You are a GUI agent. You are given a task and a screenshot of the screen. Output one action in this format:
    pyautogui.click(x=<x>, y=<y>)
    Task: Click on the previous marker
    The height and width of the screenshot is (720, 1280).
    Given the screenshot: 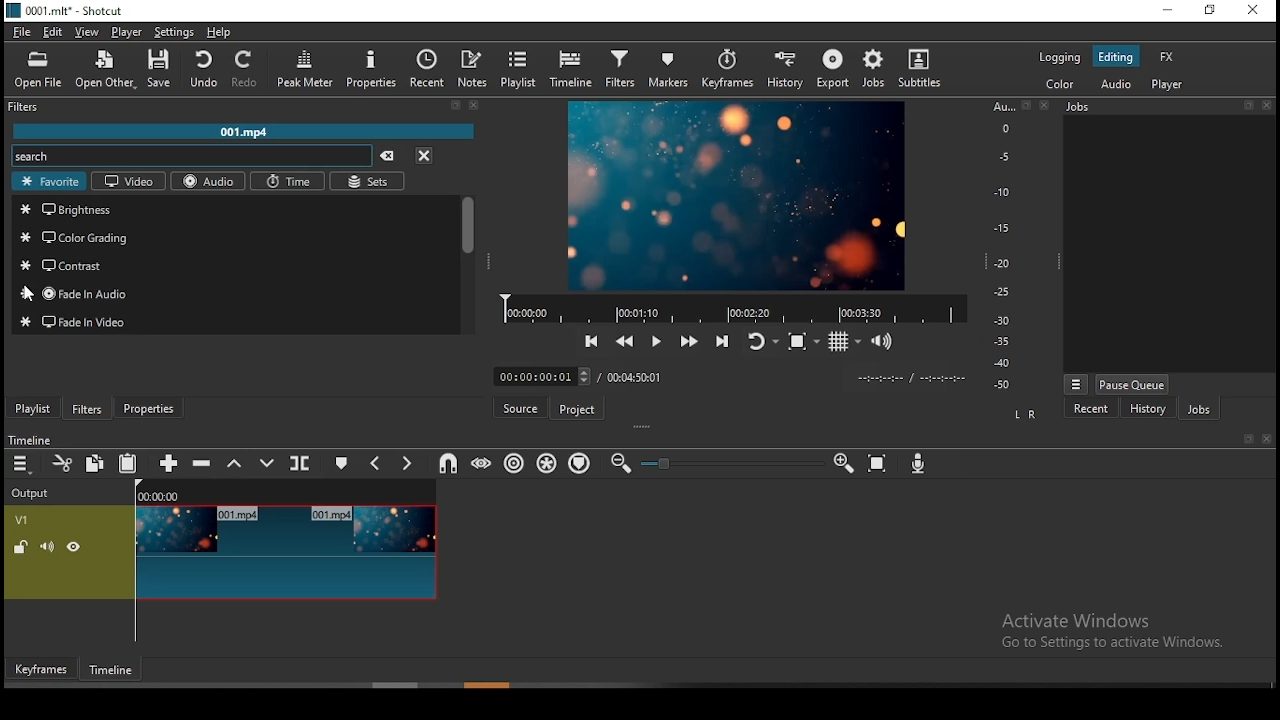 What is the action you would take?
    pyautogui.click(x=375, y=461)
    